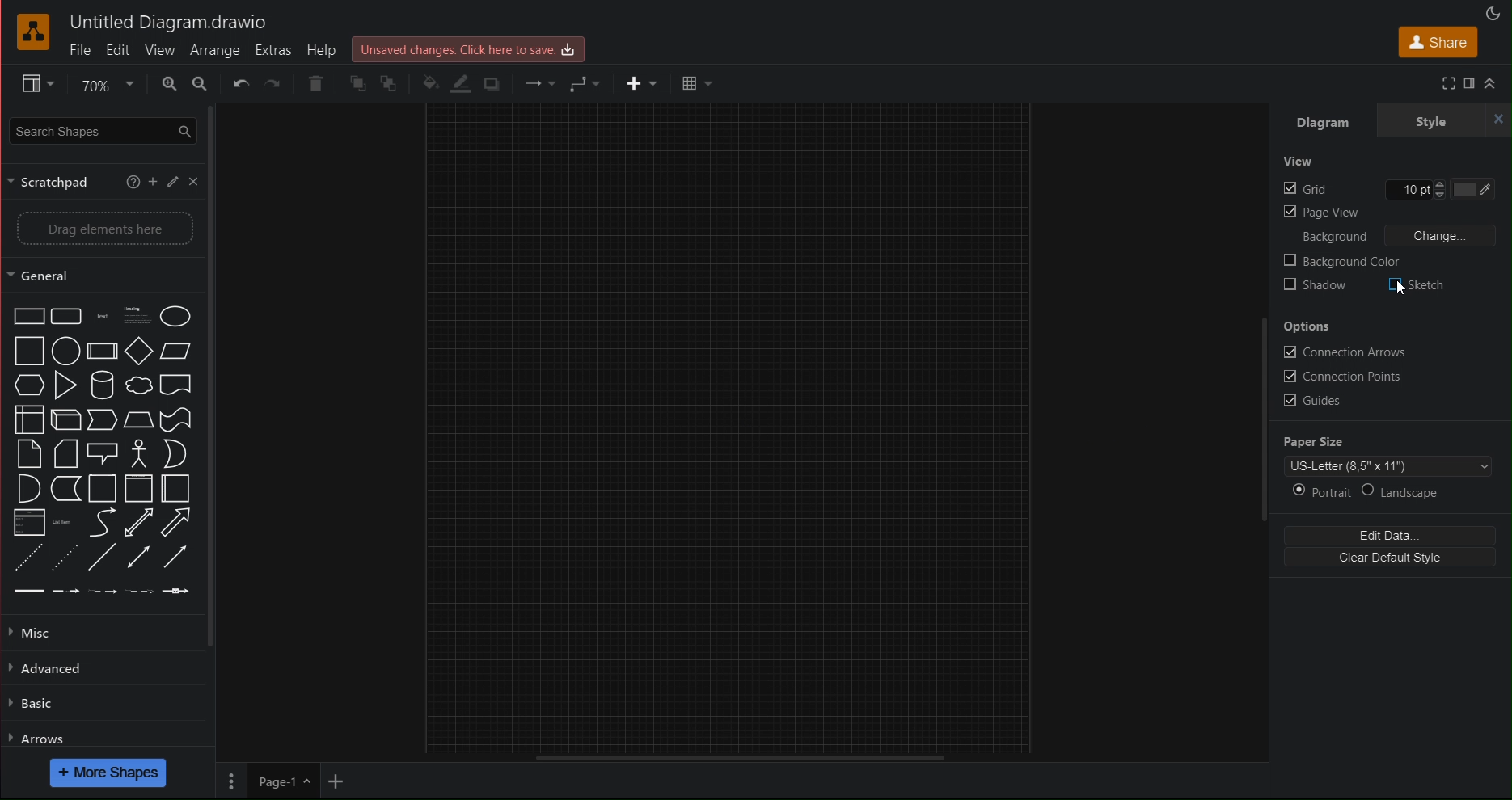 The height and width of the screenshot is (800, 1512). Describe the element at coordinates (1435, 491) in the screenshot. I see `Landscape` at that location.